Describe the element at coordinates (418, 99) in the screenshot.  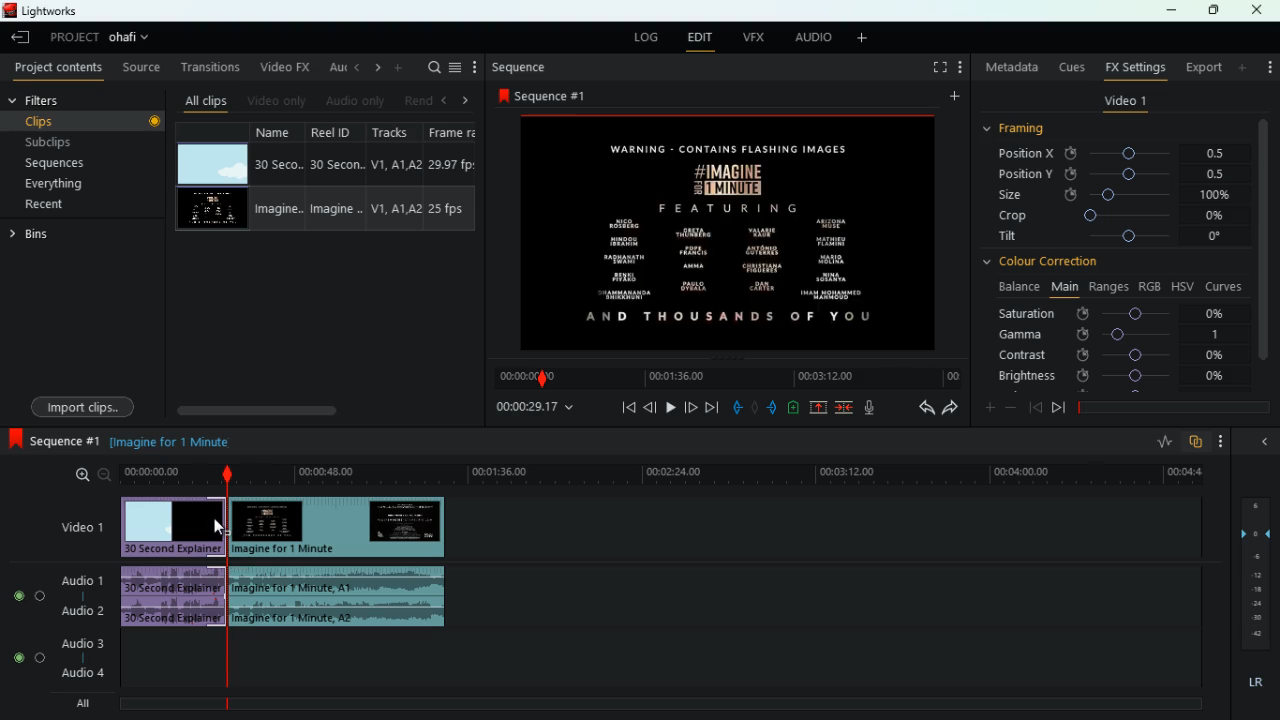
I see `rend` at that location.